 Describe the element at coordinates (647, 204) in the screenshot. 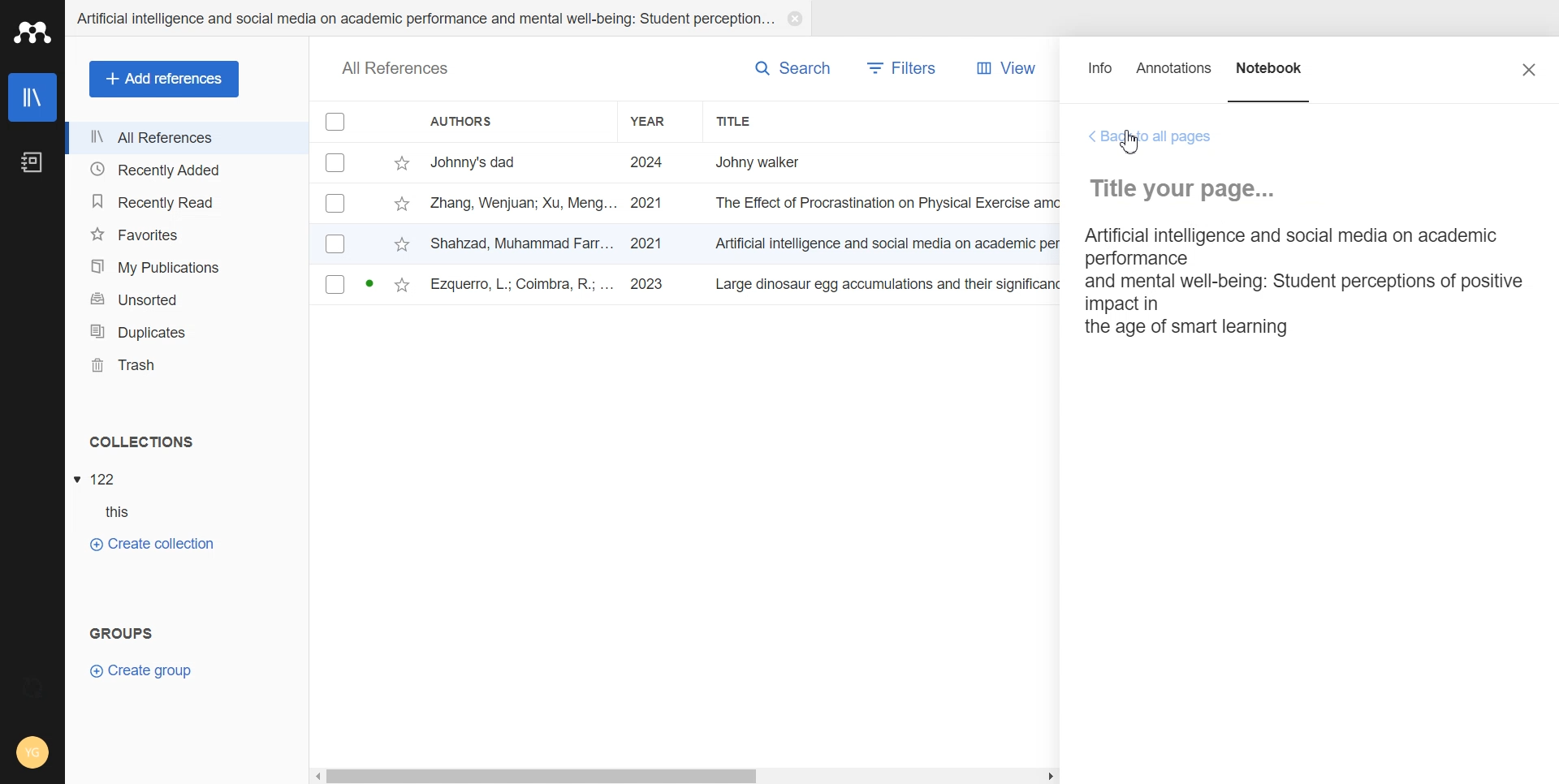

I see `2021` at that location.